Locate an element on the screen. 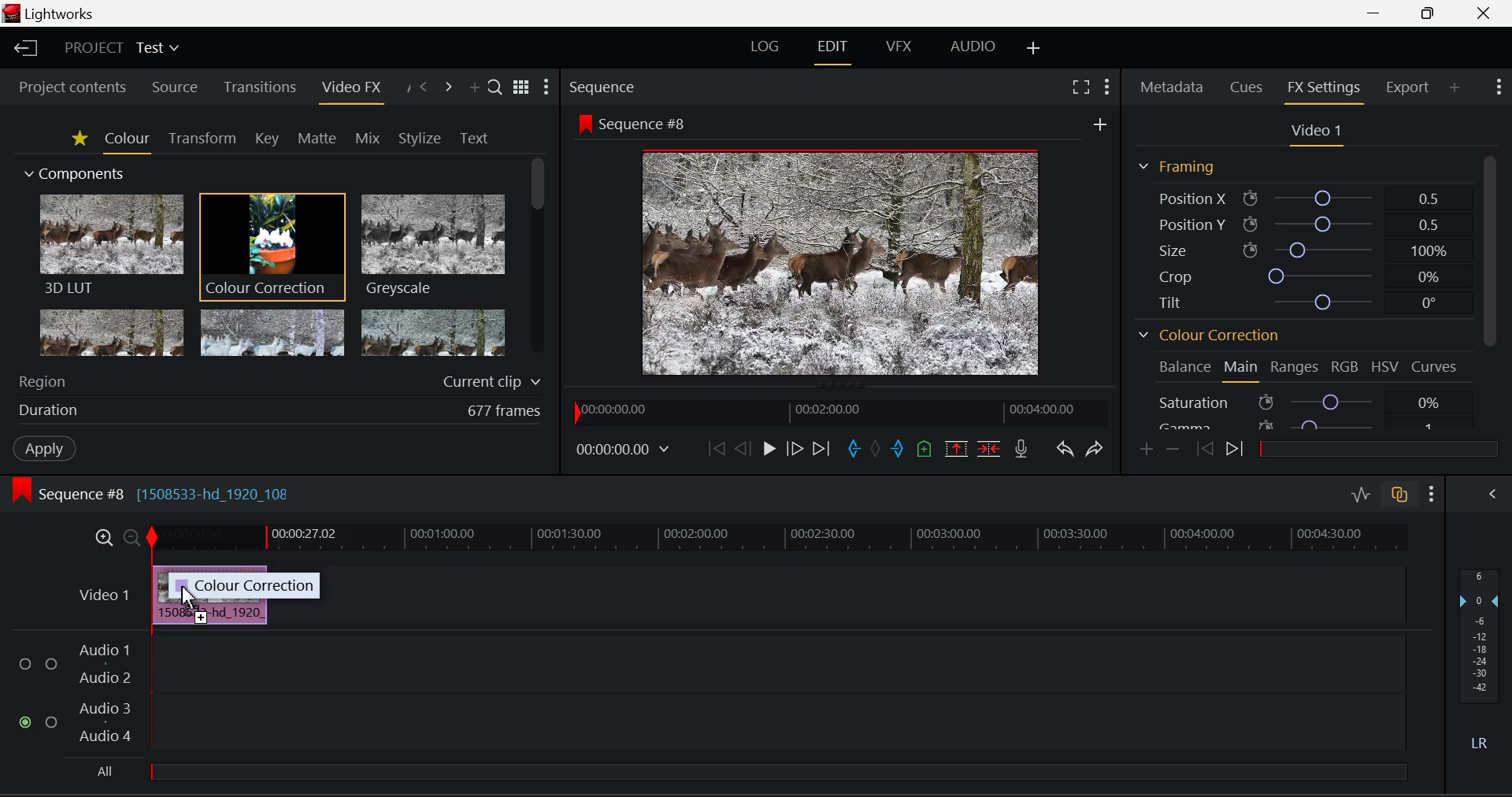  Curves is located at coordinates (1435, 365).